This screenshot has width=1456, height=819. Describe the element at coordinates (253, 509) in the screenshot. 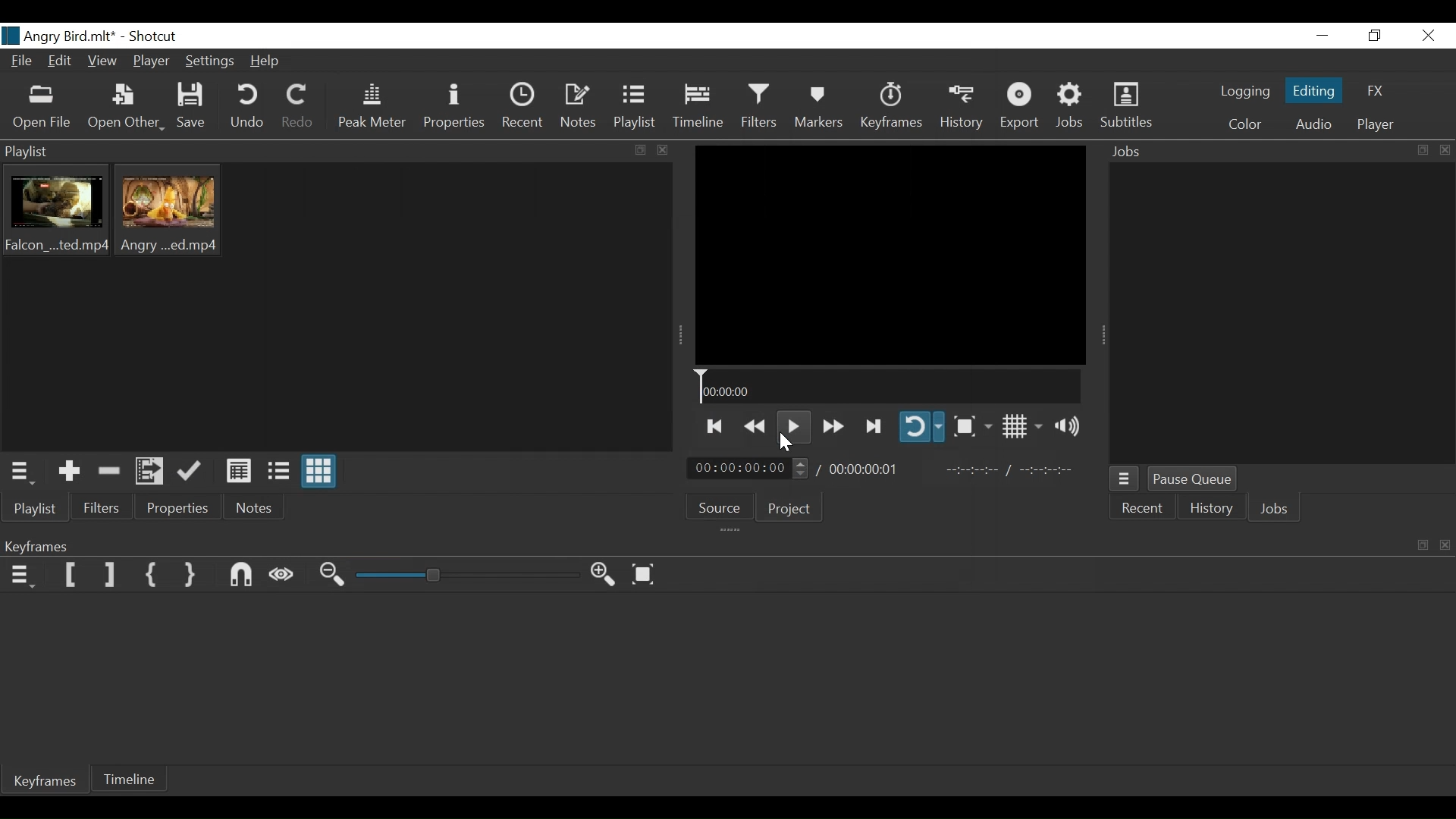

I see `Notes` at that location.